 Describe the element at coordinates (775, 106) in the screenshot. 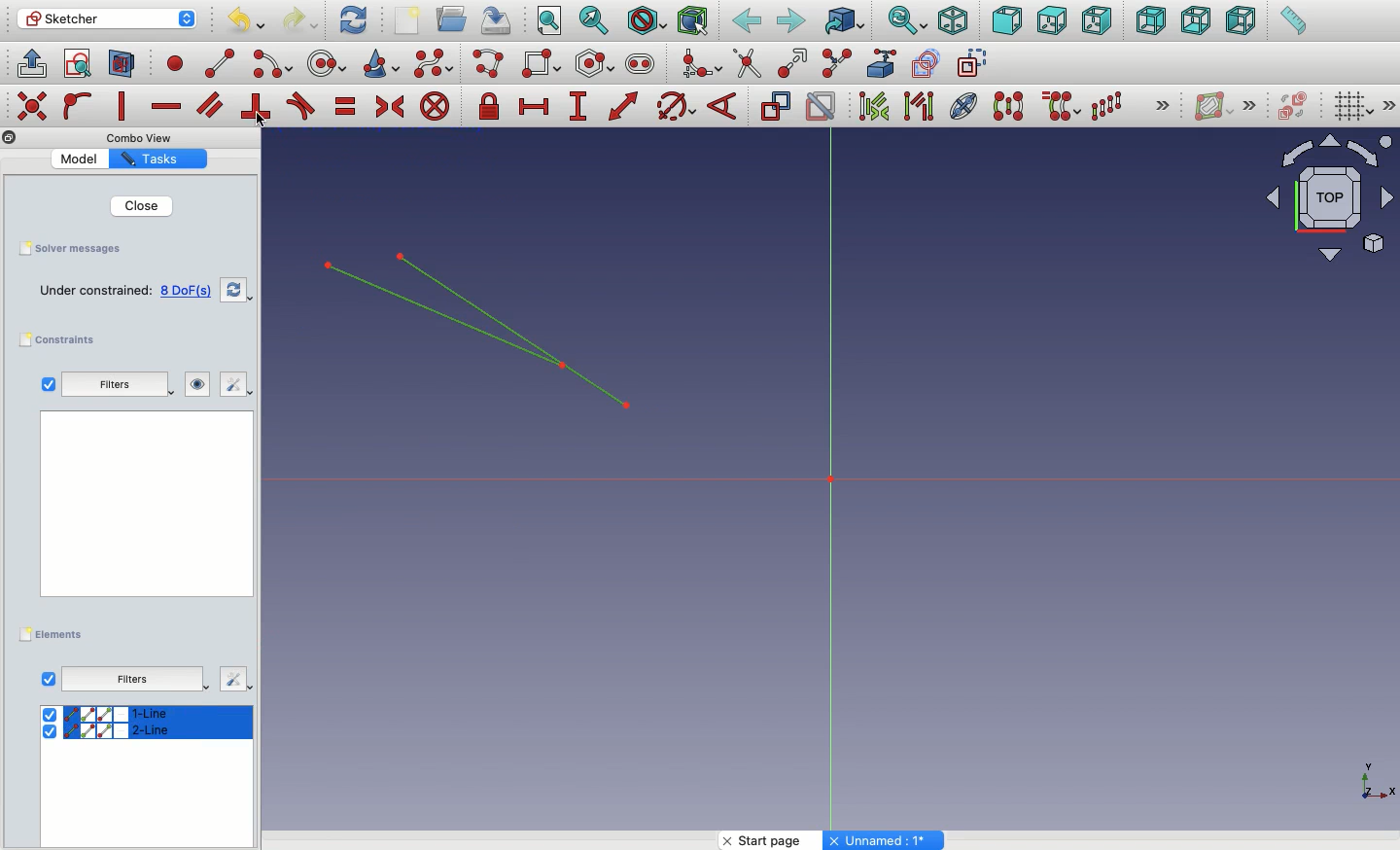

I see `Toggle driving constraint` at that location.